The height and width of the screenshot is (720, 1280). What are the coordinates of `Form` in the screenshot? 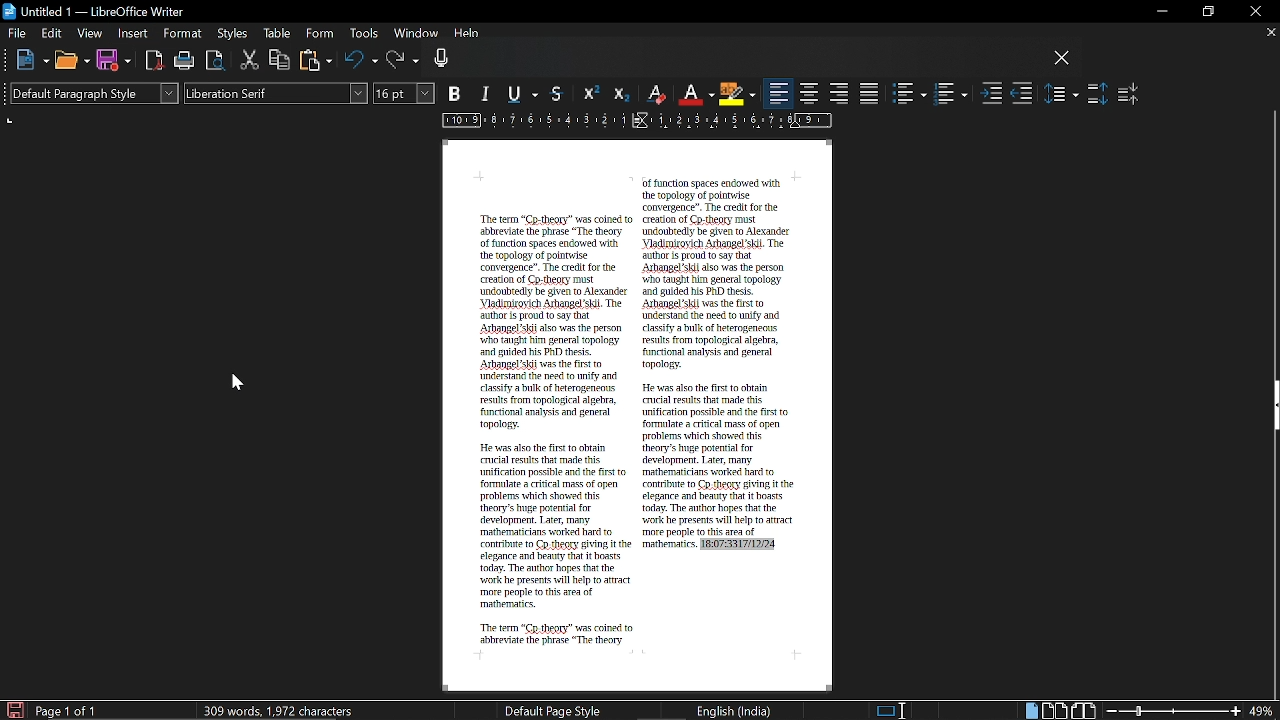 It's located at (320, 34).